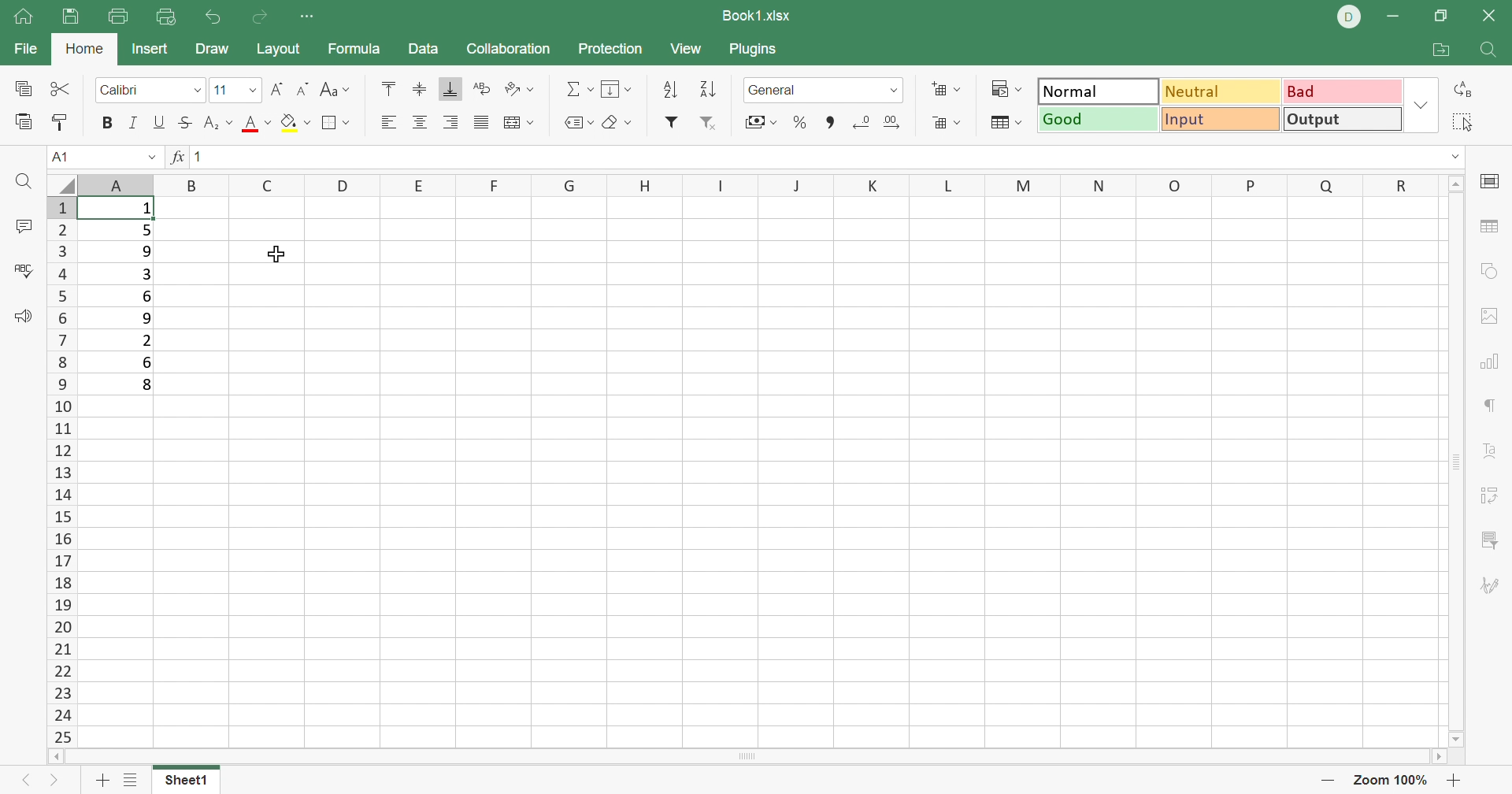 The image size is (1512, 794). What do you see at coordinates (1222, 121) in the screenshot?
I see `Input` at bounding box center [1222, 121].